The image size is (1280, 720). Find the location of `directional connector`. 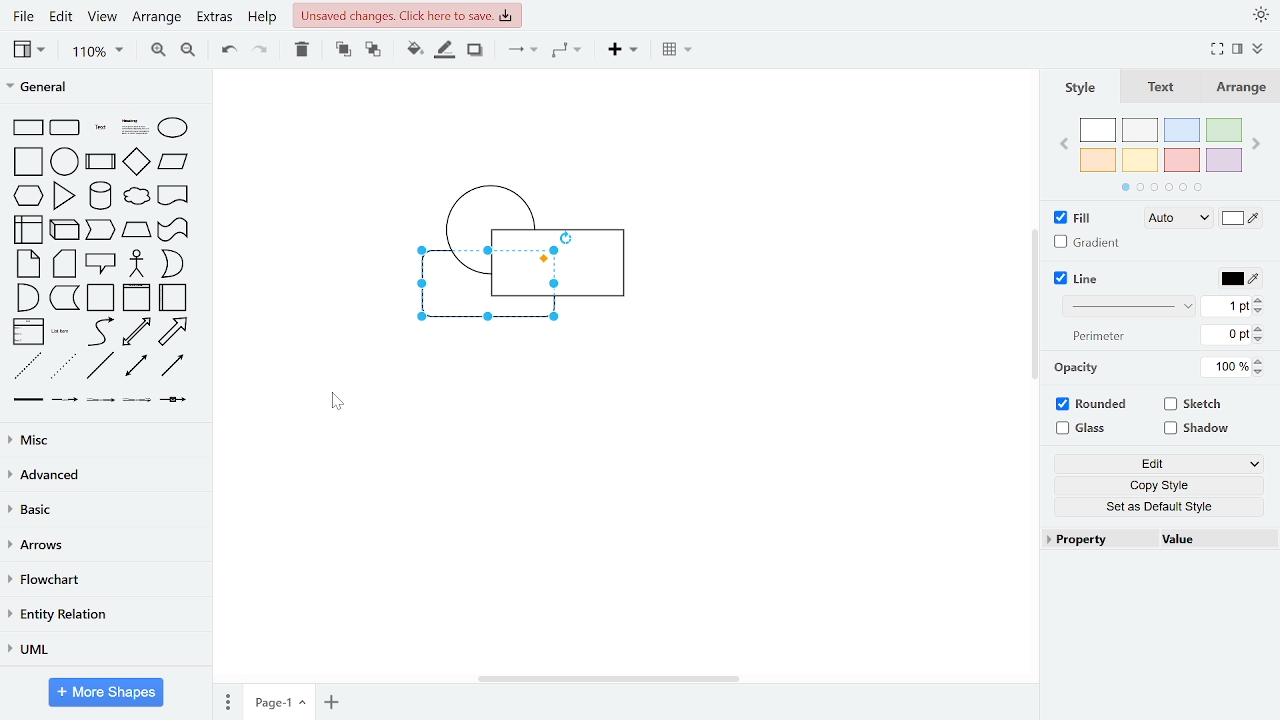

directional connector is located at coordinates (172, 368).